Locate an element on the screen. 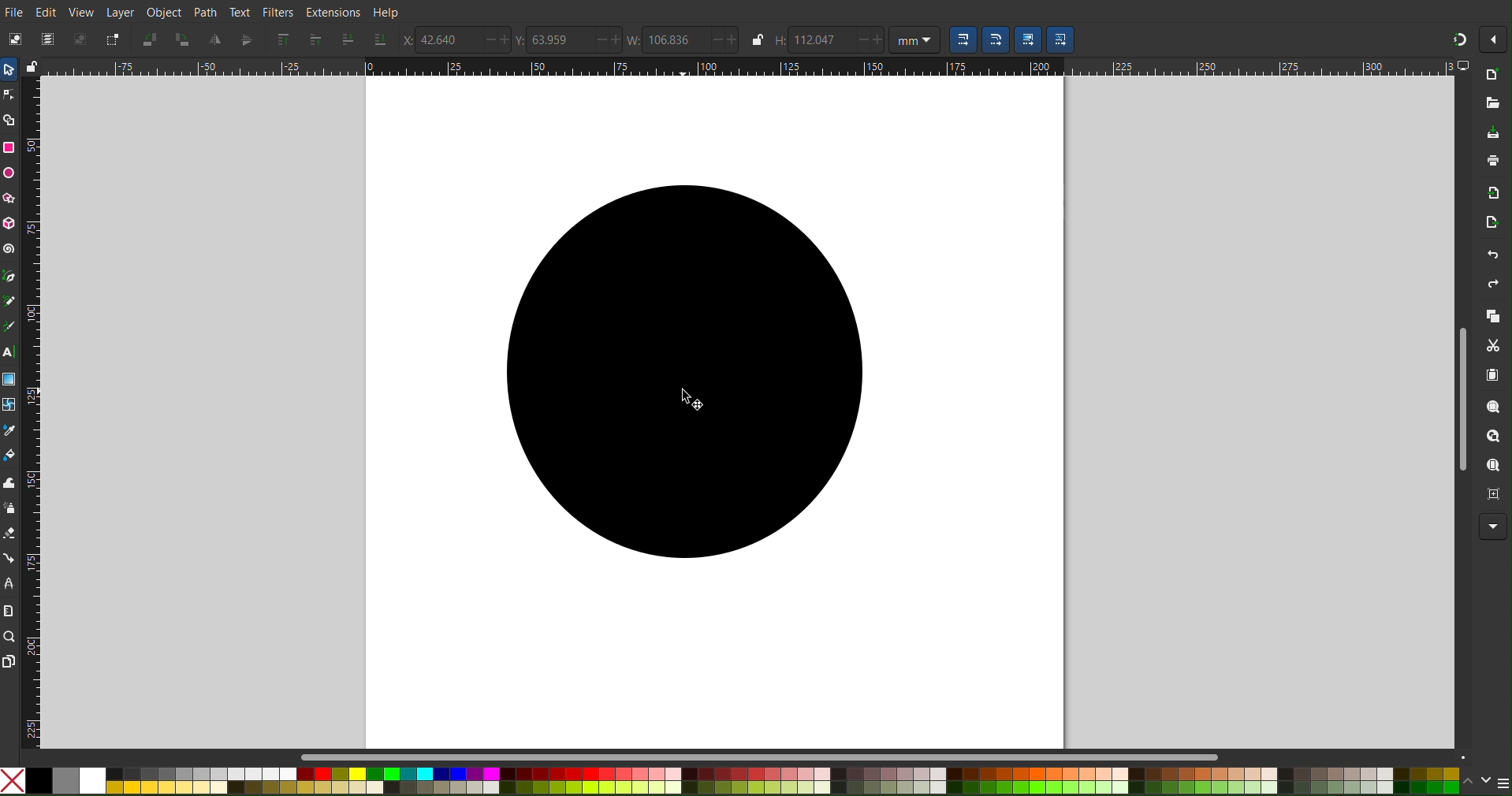 This screenshot has height=796, width=1512. Scaling Option 2 is located at coordinates (995, 40).